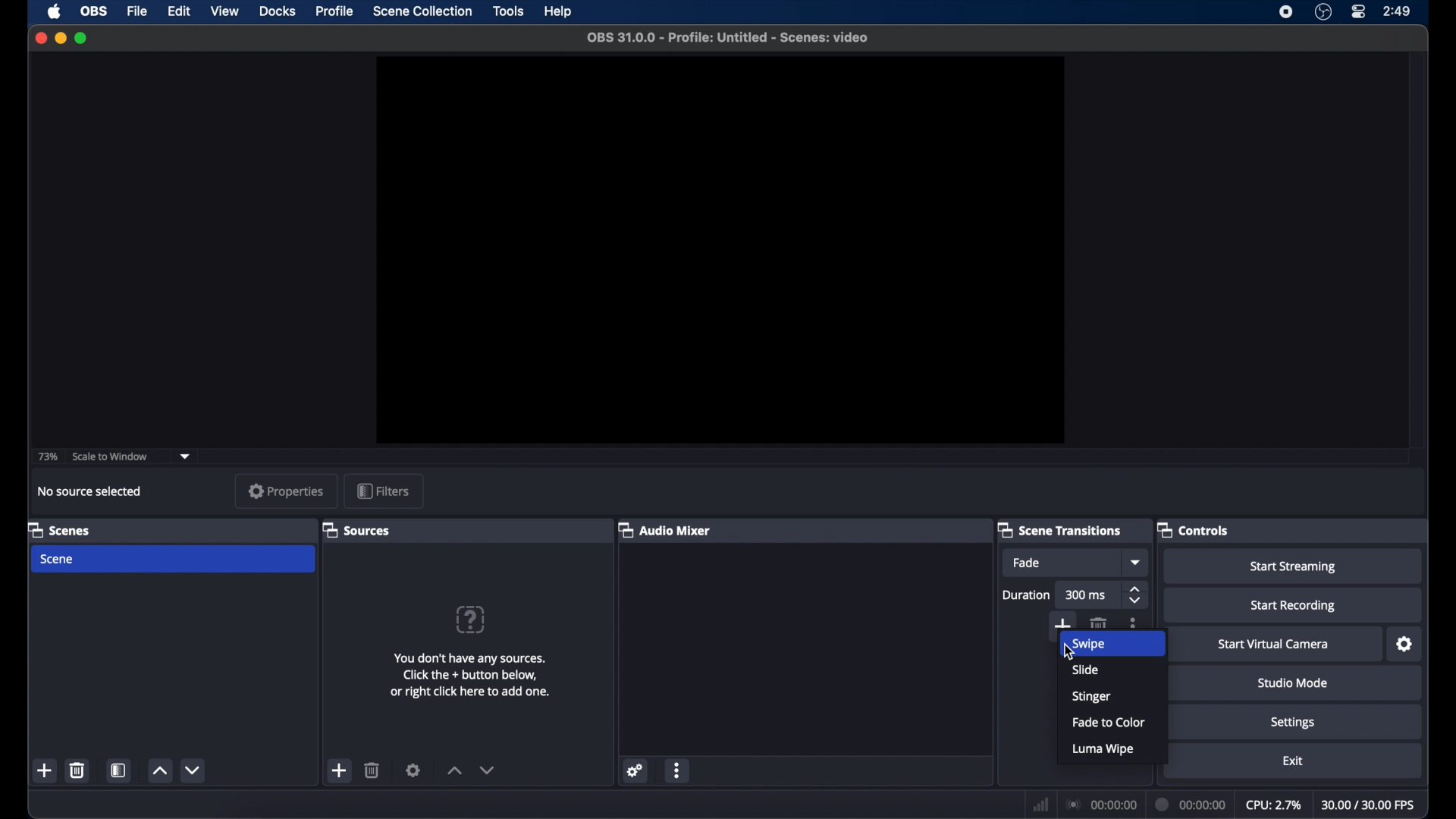 Image resolution: width=1456 pixels, height=819 pixels. I want to click on question mark icon, so click(472, 620).